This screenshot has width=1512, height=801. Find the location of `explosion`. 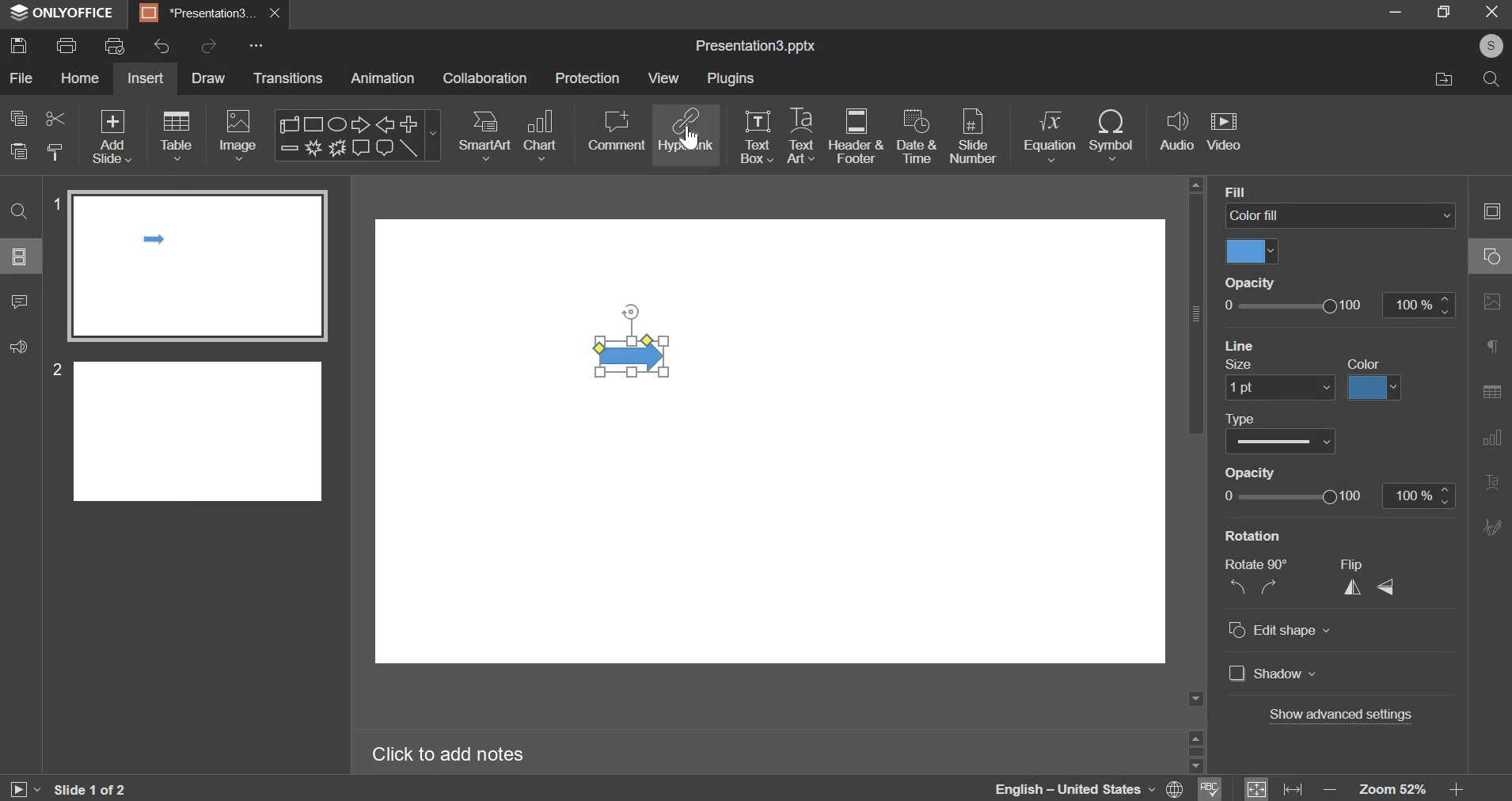

explosion is located at coordinates (311, 148).